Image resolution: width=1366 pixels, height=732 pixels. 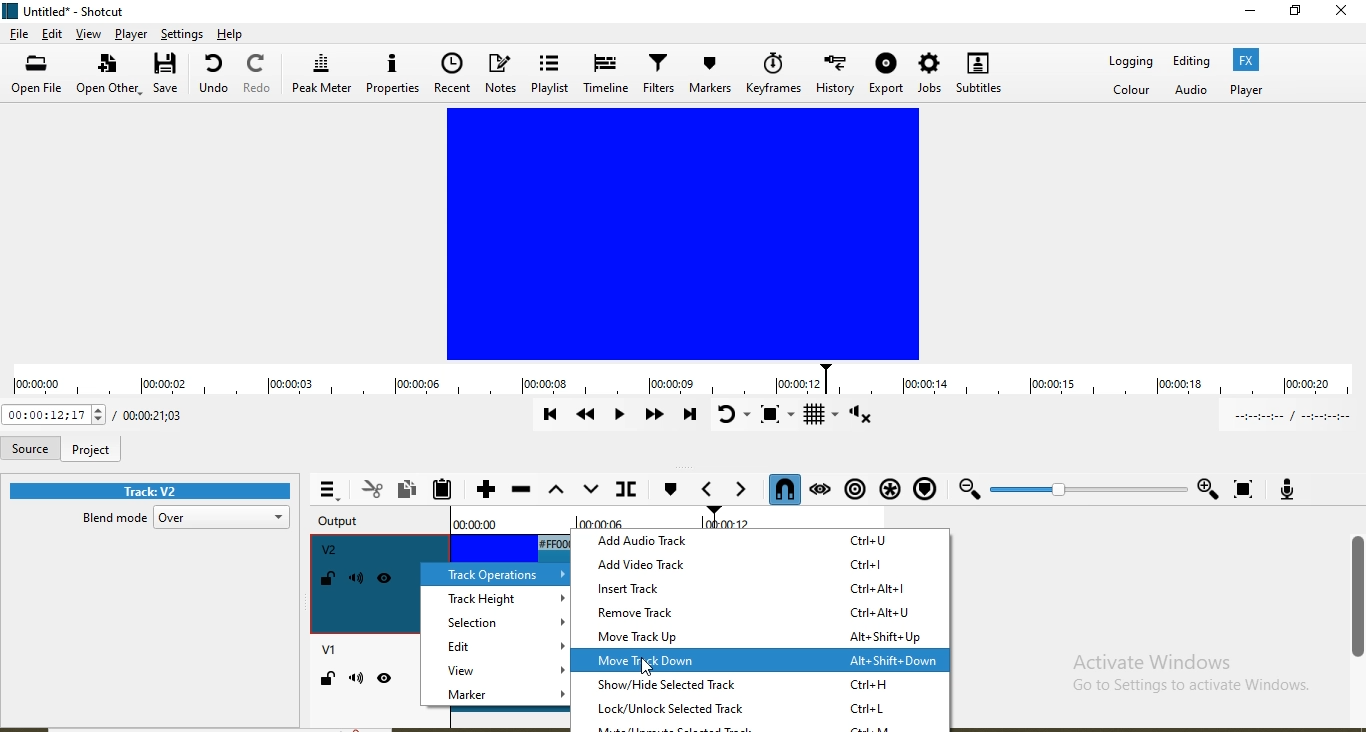 I want to click on Zoom out, so click(x=969, y=490).